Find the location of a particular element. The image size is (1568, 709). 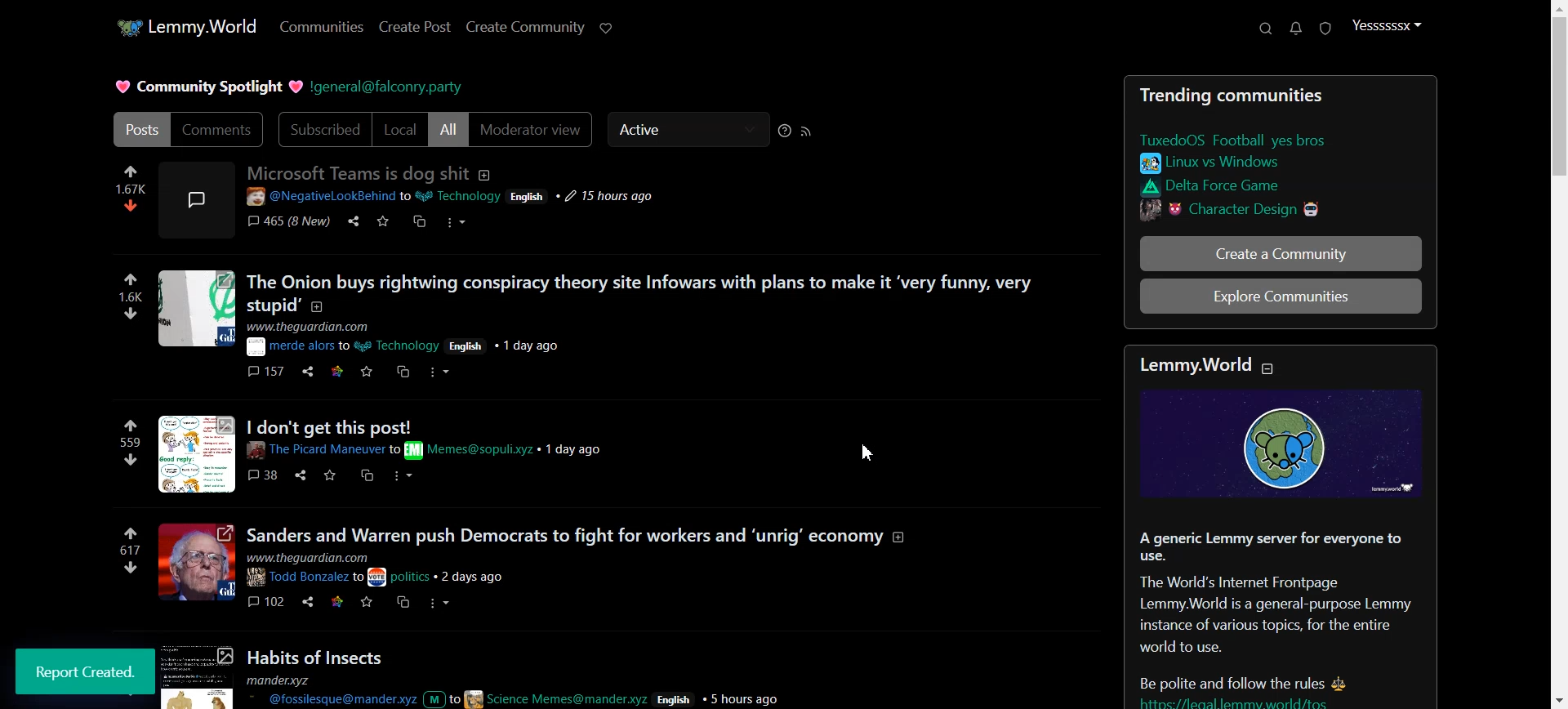

posts is located at coordinates (578, 555).